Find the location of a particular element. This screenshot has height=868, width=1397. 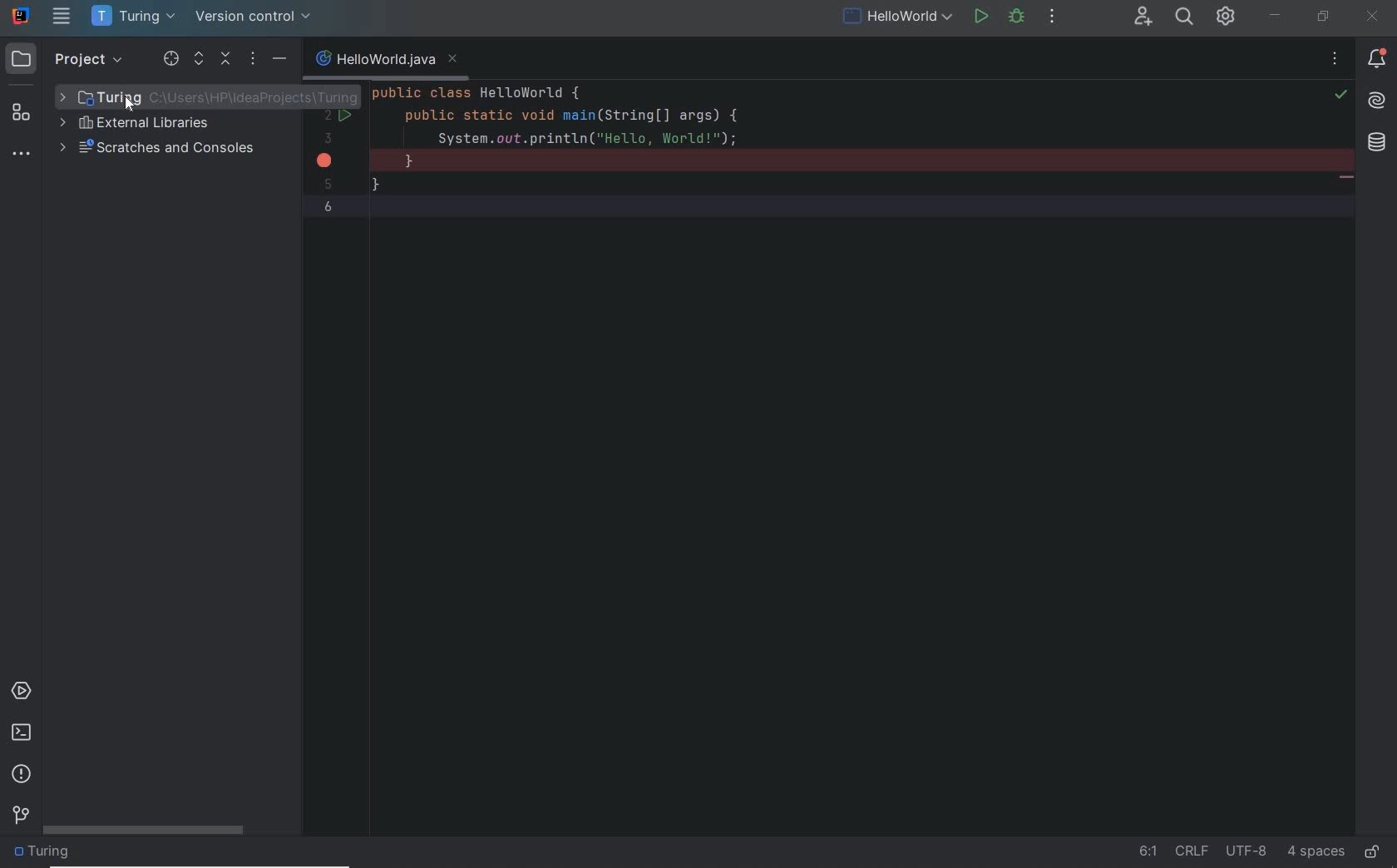

line separator is located at coordinates (1193, 851).